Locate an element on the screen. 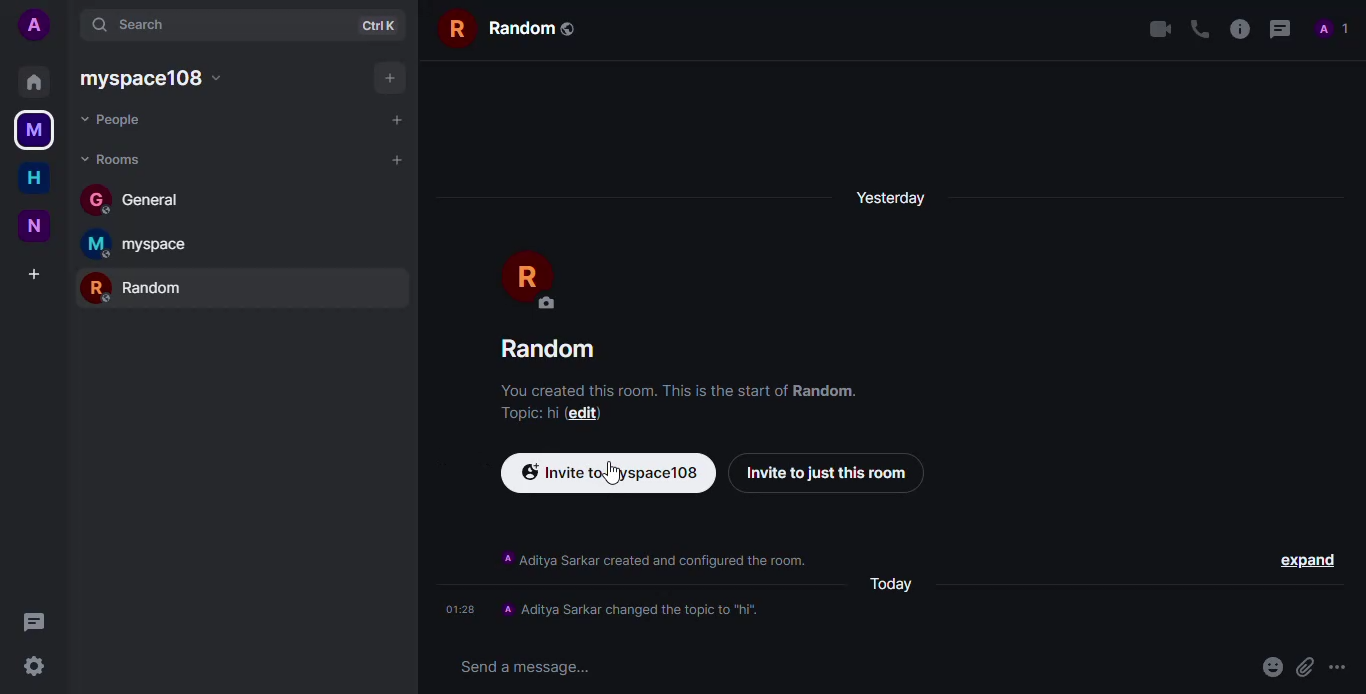 The width and height of the screenshot is (1366, 694). send a message is located at coordinates (525, 668).